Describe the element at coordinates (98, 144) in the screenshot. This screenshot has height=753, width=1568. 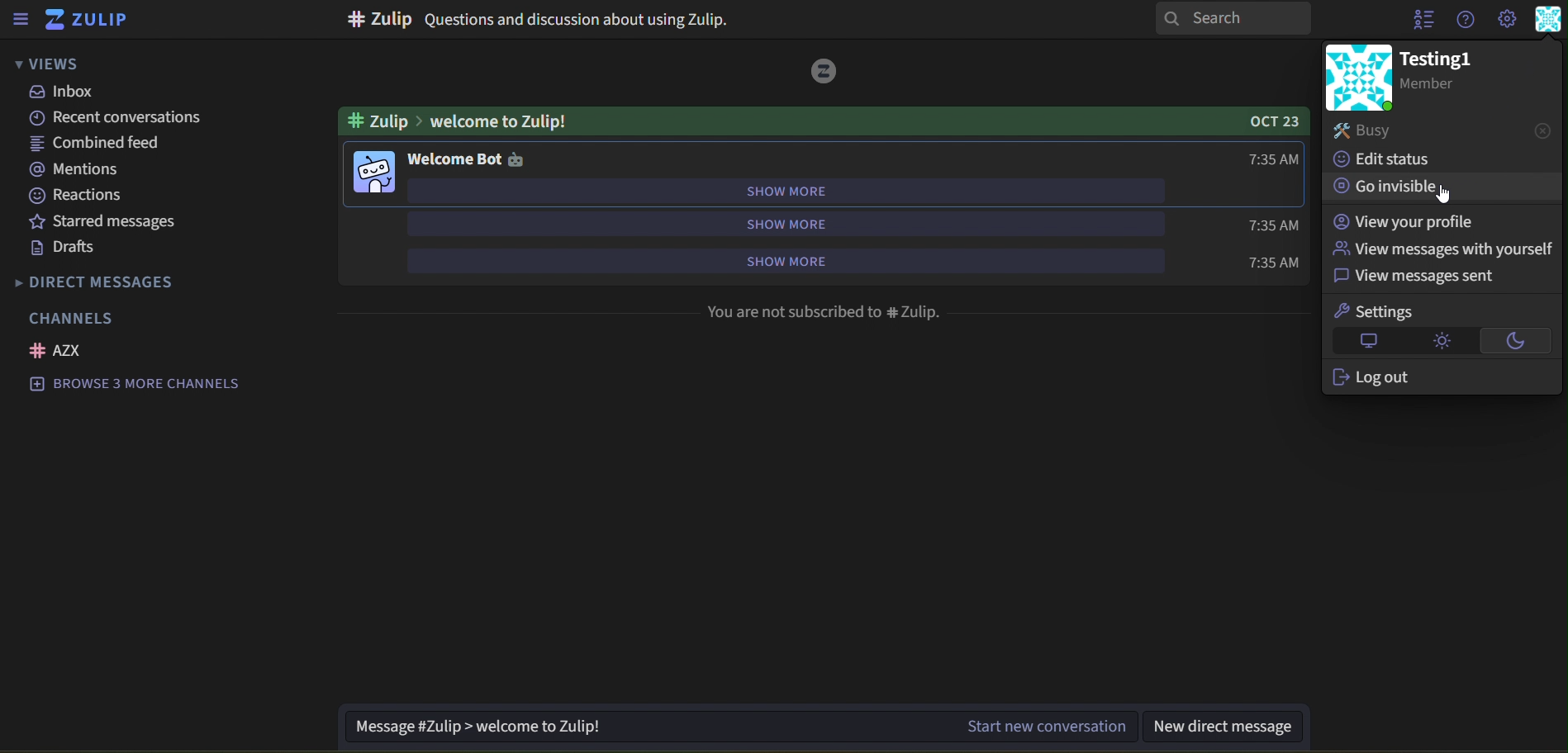
I see `combined feed` at that location.